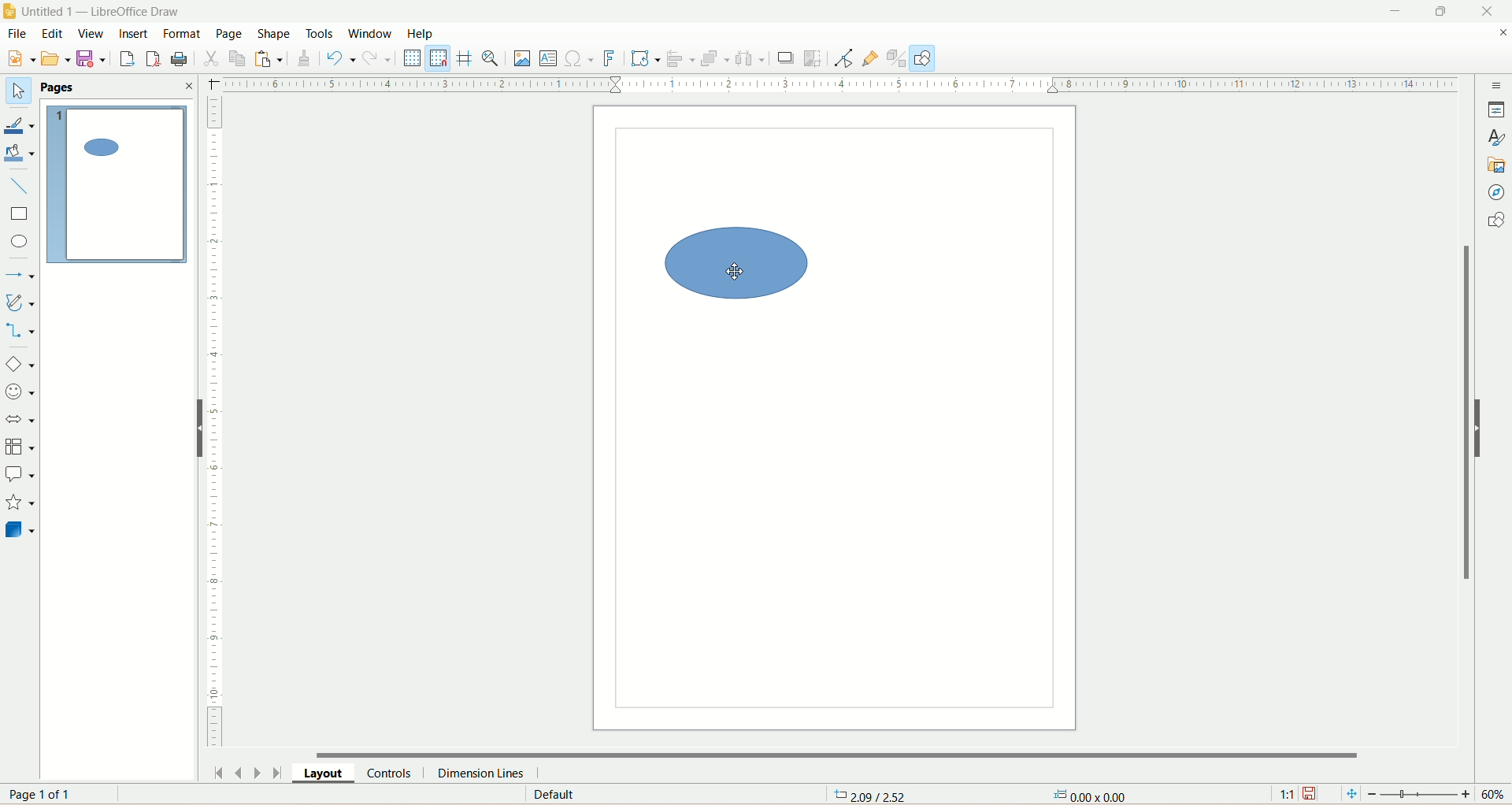 The width and height of the screenshot is (1512, 805). What do you see at coordinates (1499, 194) in the screenshot?
I see `navigator` at bounding box center [1499, 194].